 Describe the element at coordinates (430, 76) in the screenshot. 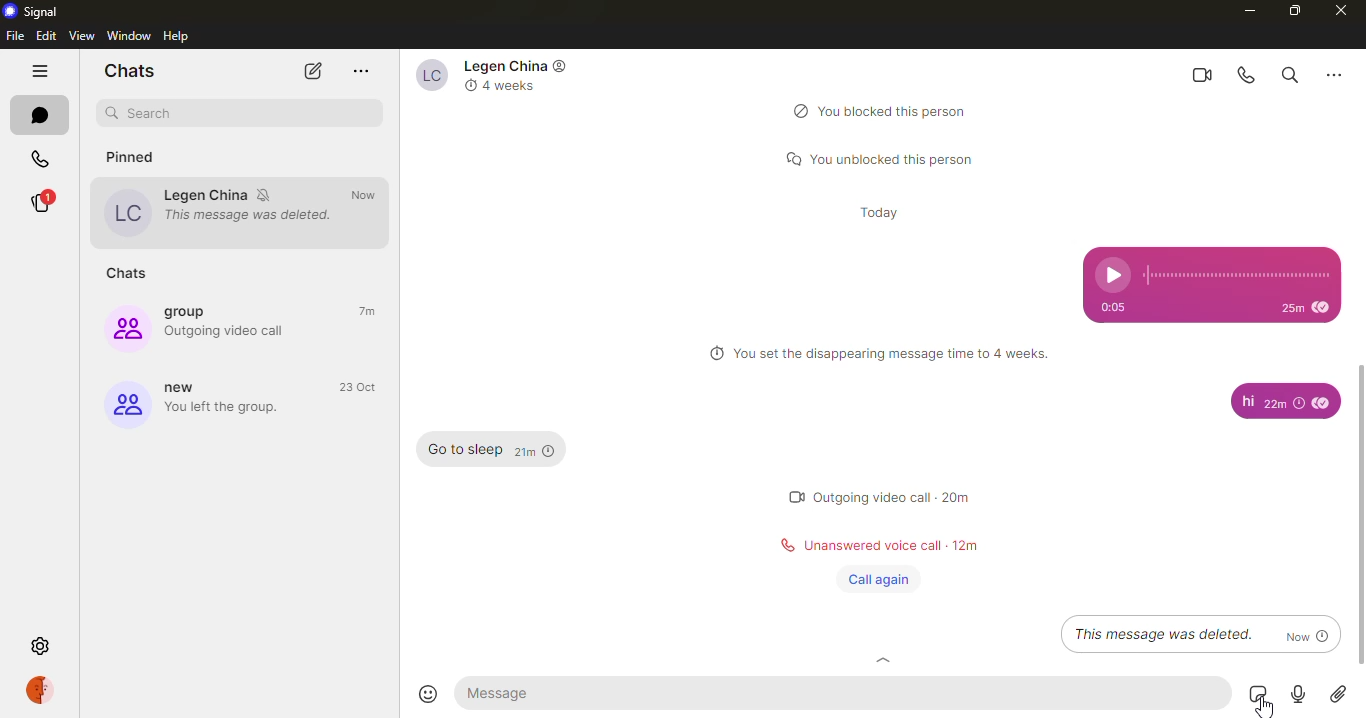

I see `Legen China` at that location.